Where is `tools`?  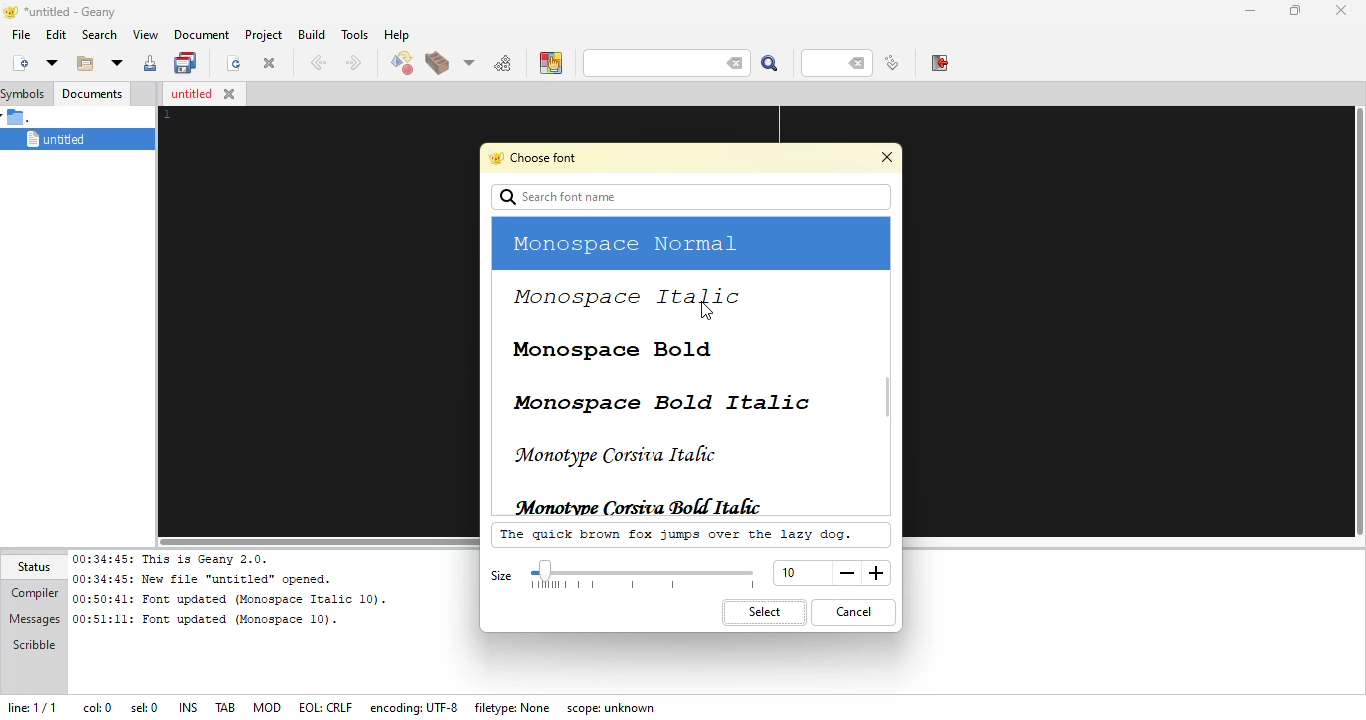 tools is located at coordinates (355, 34).